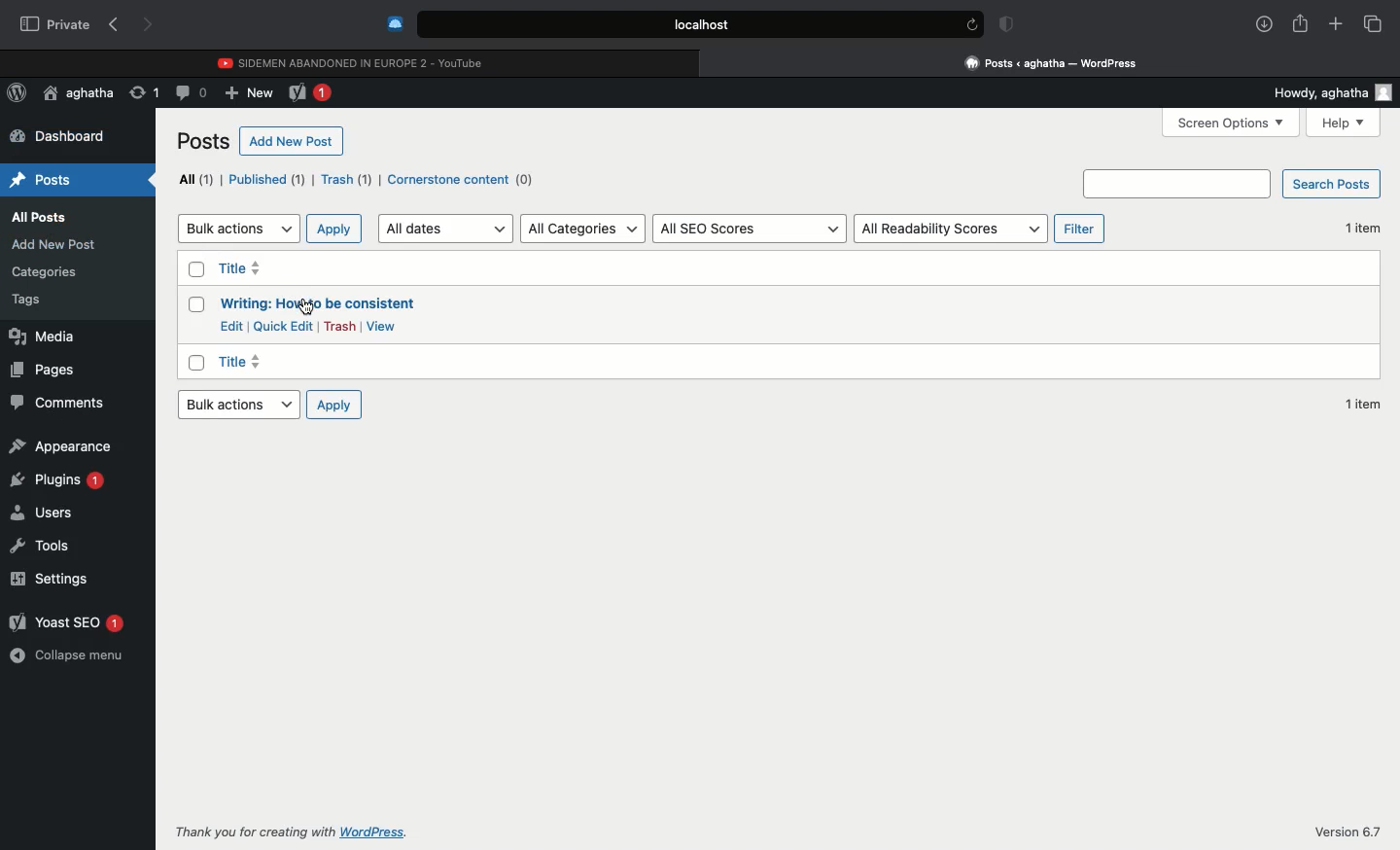 The height and width of the screenshot is (850, 1400). I want to click on Bulk actions, so click(234, 407).